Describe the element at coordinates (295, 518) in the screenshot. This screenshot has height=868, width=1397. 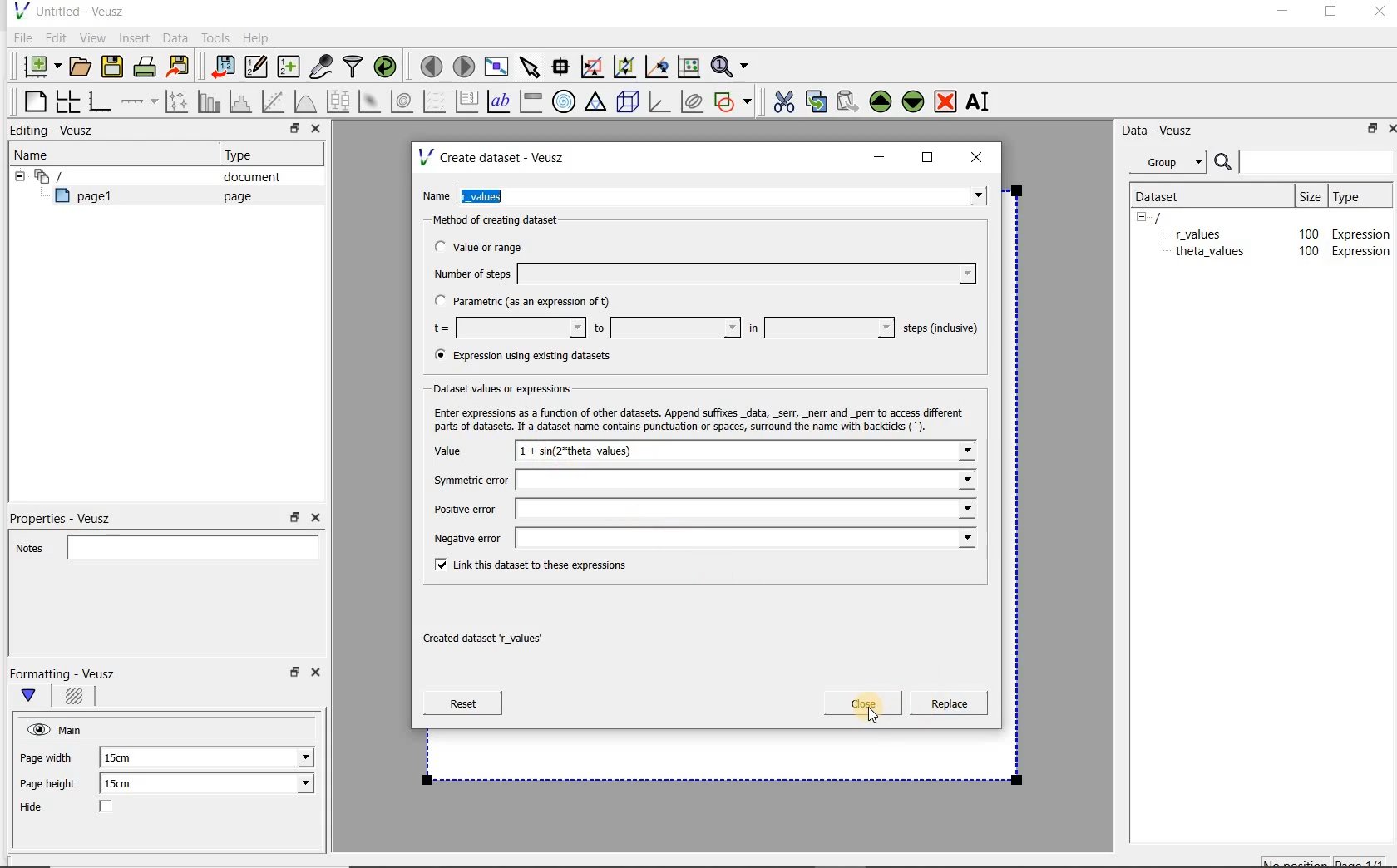
I see `restore down` at that location.